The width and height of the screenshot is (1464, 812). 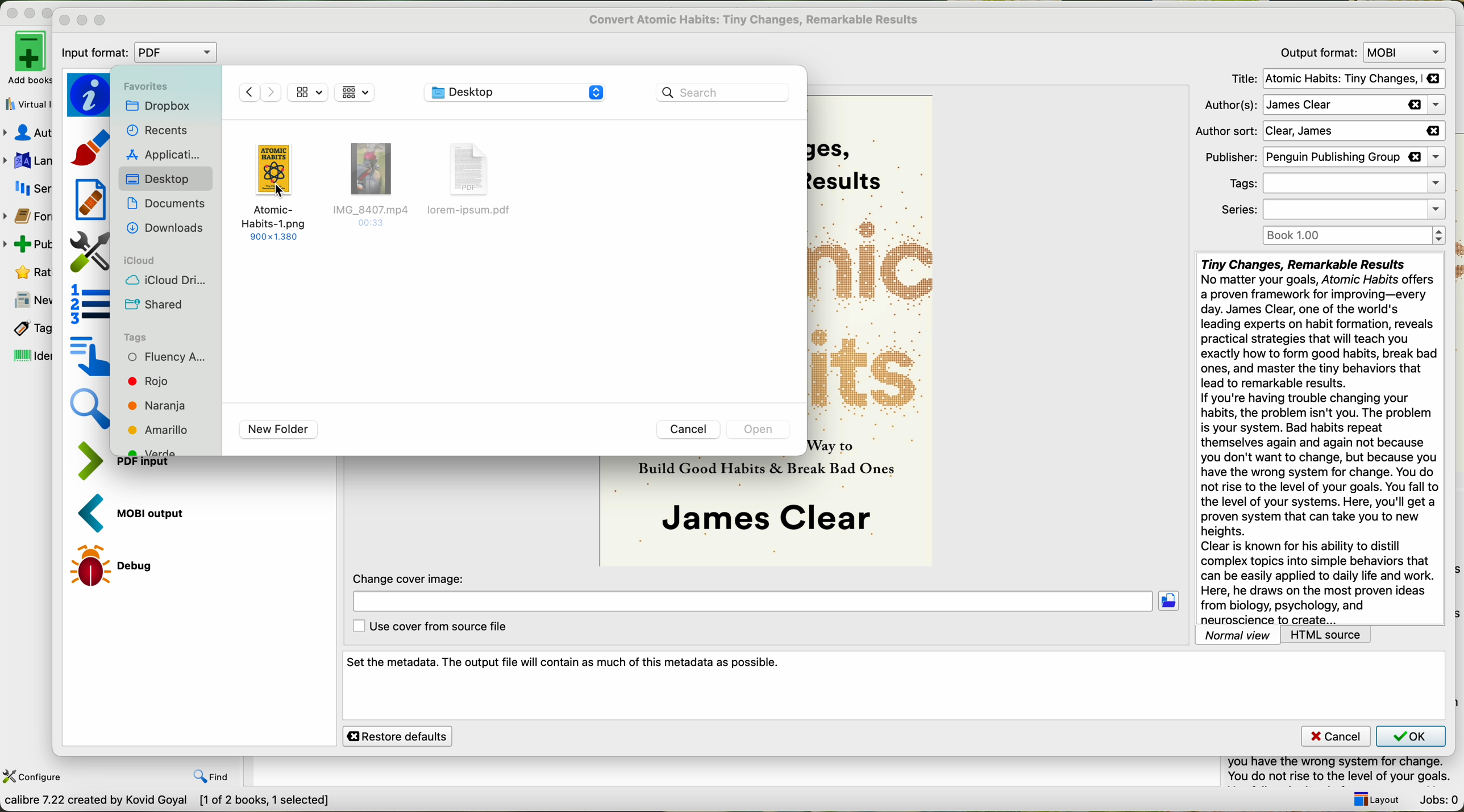 What do you see at coordinates (33, 190) in the screenshot?
I see `series` at bounding box center [33, 190].